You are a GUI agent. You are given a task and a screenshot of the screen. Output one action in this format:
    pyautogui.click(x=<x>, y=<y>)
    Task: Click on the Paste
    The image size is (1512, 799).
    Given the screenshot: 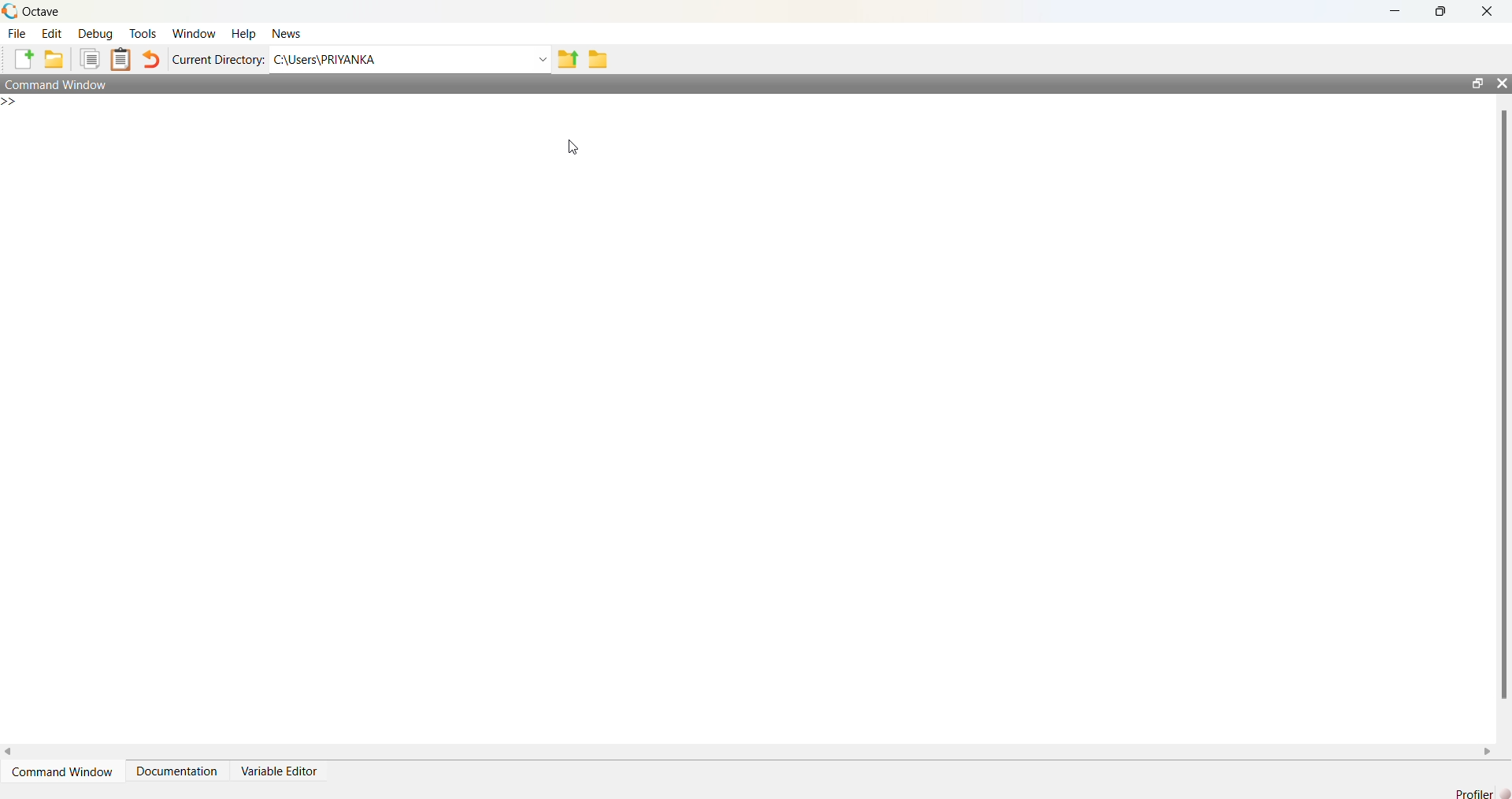 What is the action you would take?
    pyautogui.click(x=120, y=60)
    